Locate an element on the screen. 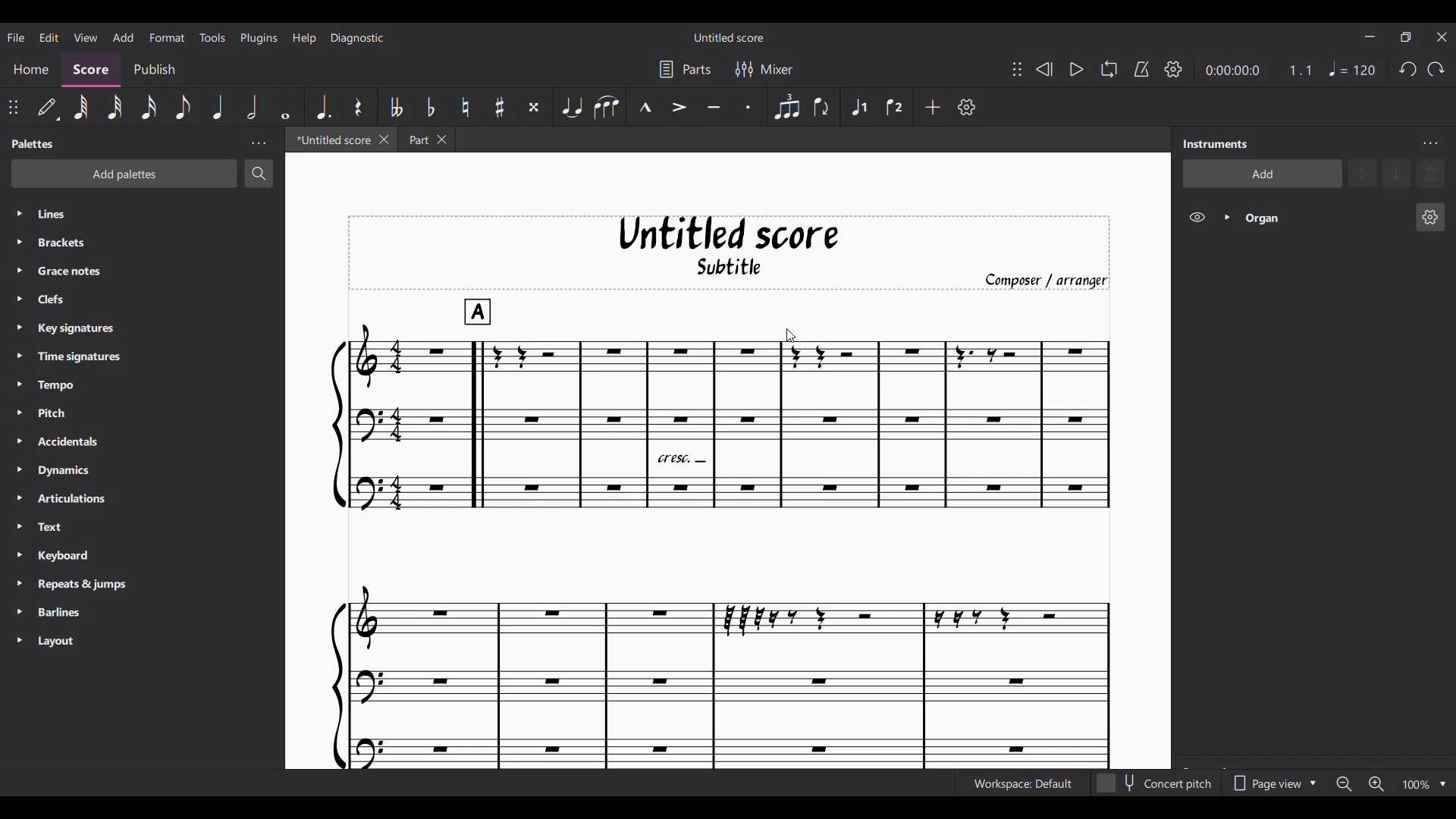 The width and height of the screenshot is (1456, 819). Earlier tab is located at coordinates (426, 140).